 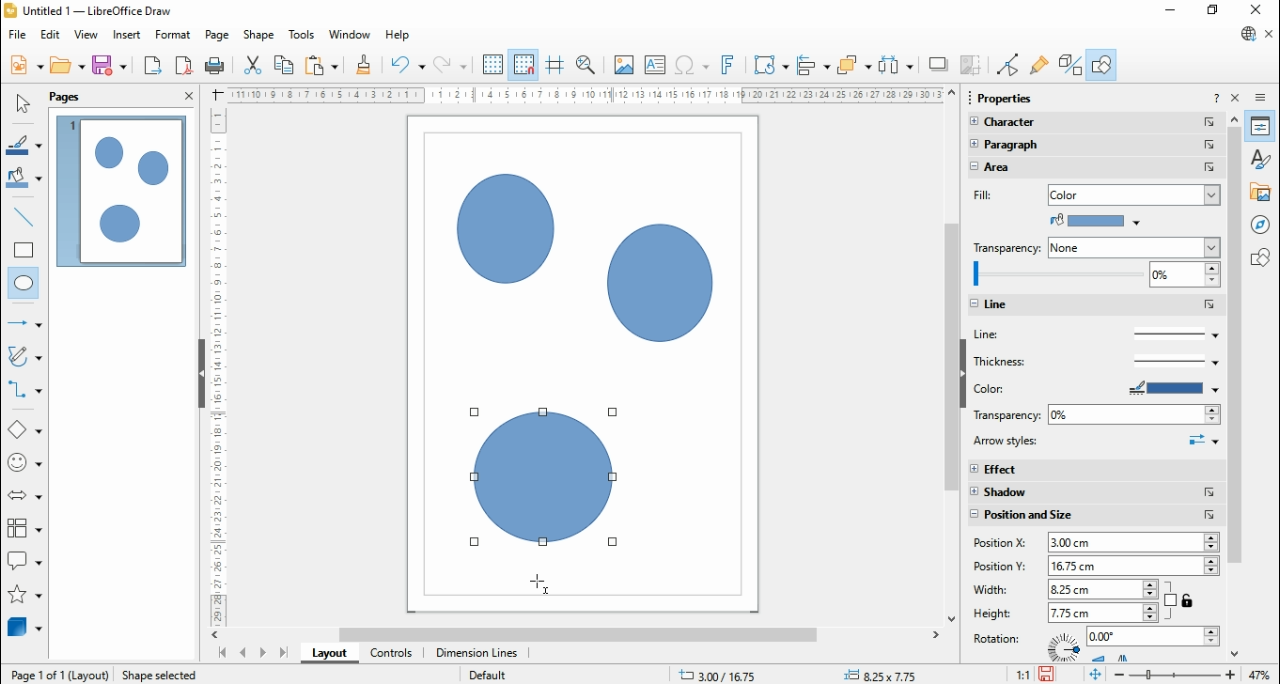 I want to click on pages panel, so click(x=79, y=97).